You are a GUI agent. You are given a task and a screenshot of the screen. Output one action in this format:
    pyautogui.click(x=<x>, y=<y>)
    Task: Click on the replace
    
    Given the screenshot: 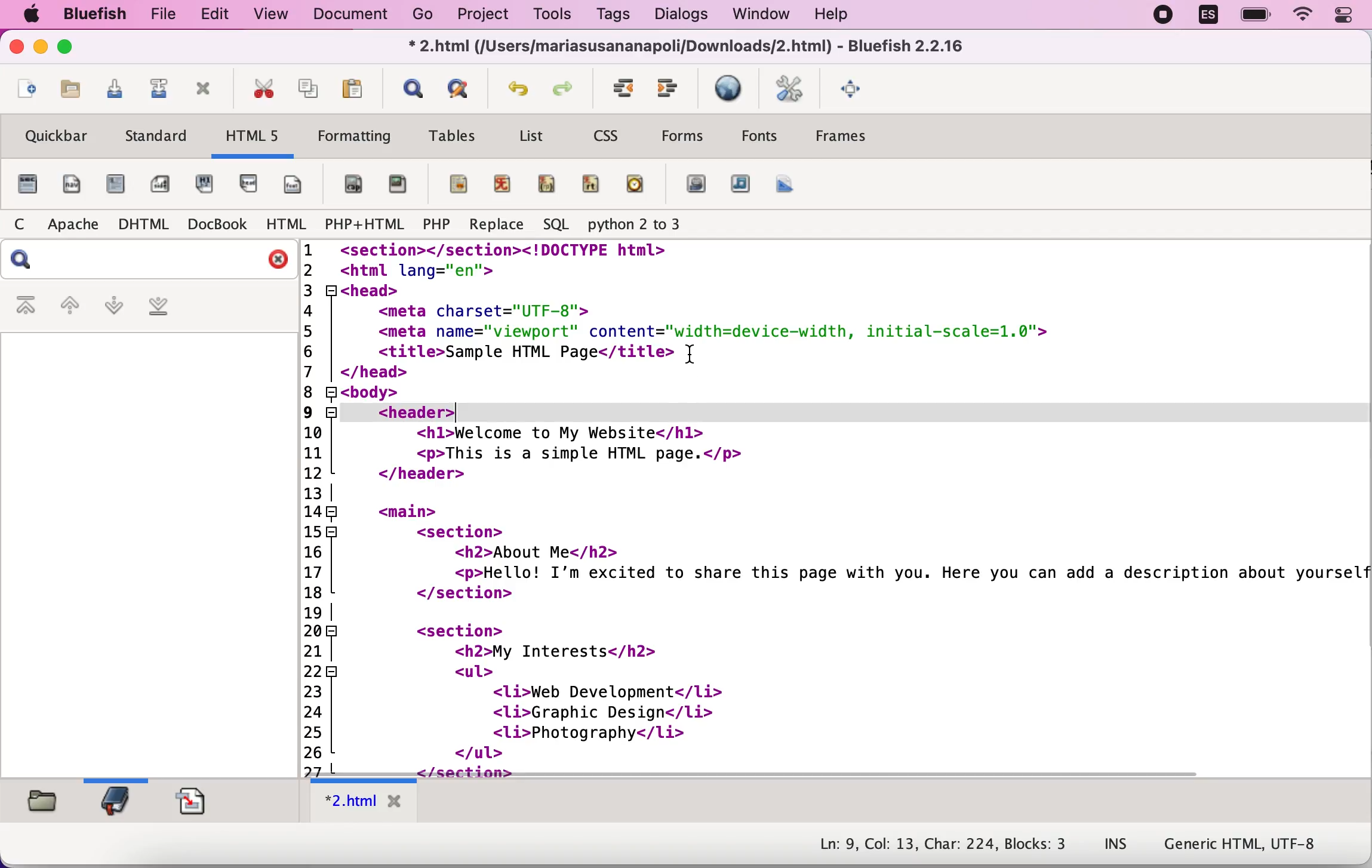 What is the action you would take?
    pyautogui.click(x=494, y=226)
    